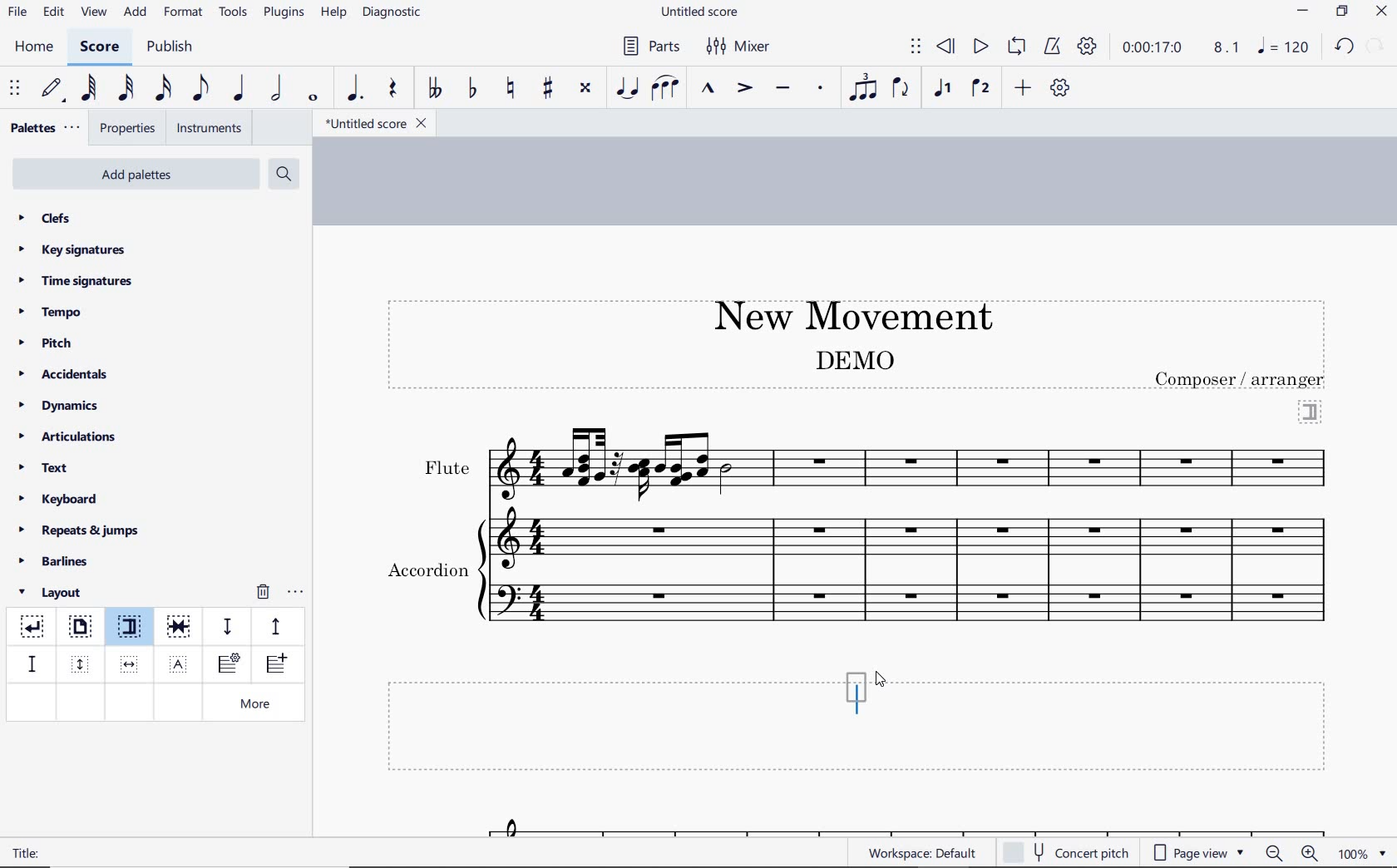 This screenshot has height=868, width=1397. What do you see at coordinates (274, 666) in the screenshot?
I see `insert one measure before selection` at bounding box center [274, 666].